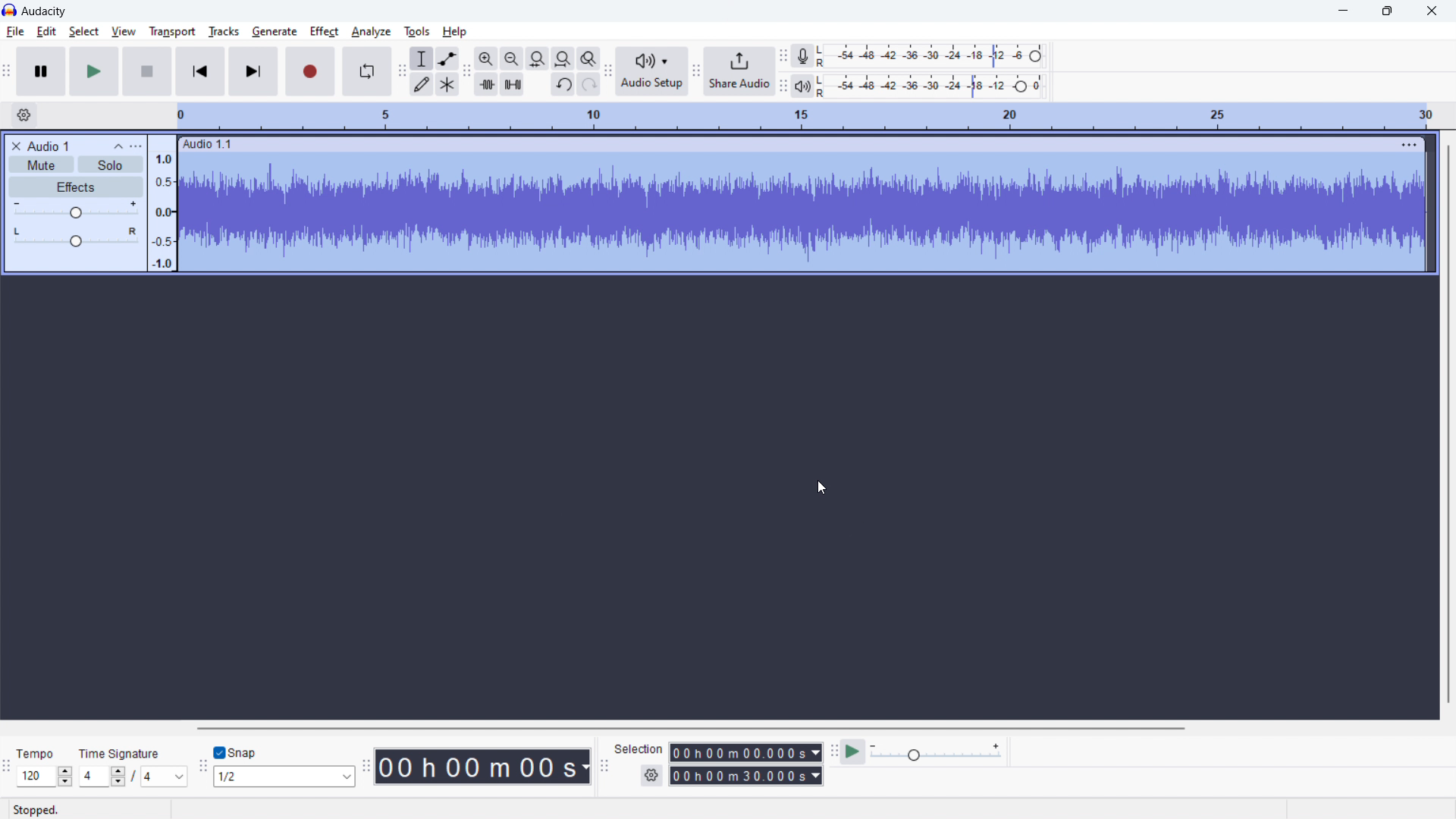  I want to click on Stopped, so click(36, 809).